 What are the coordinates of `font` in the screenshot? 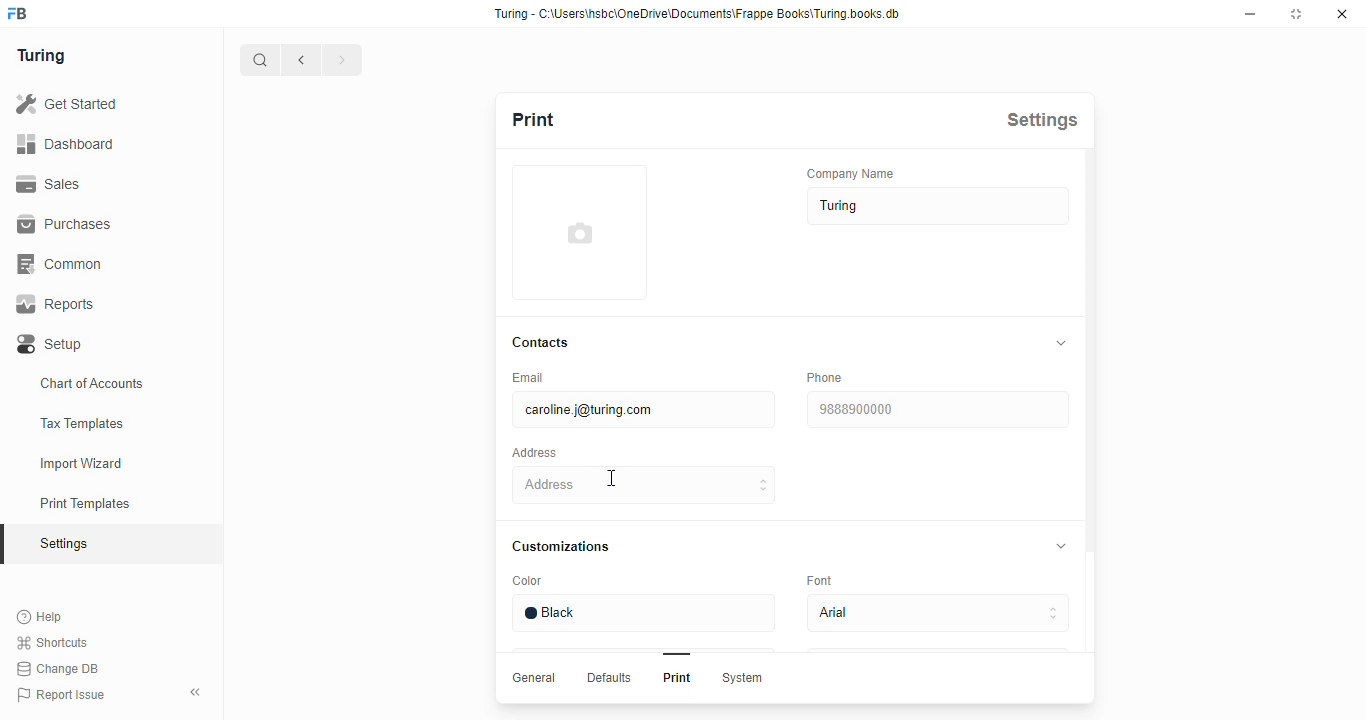 It's located at (819, 580).